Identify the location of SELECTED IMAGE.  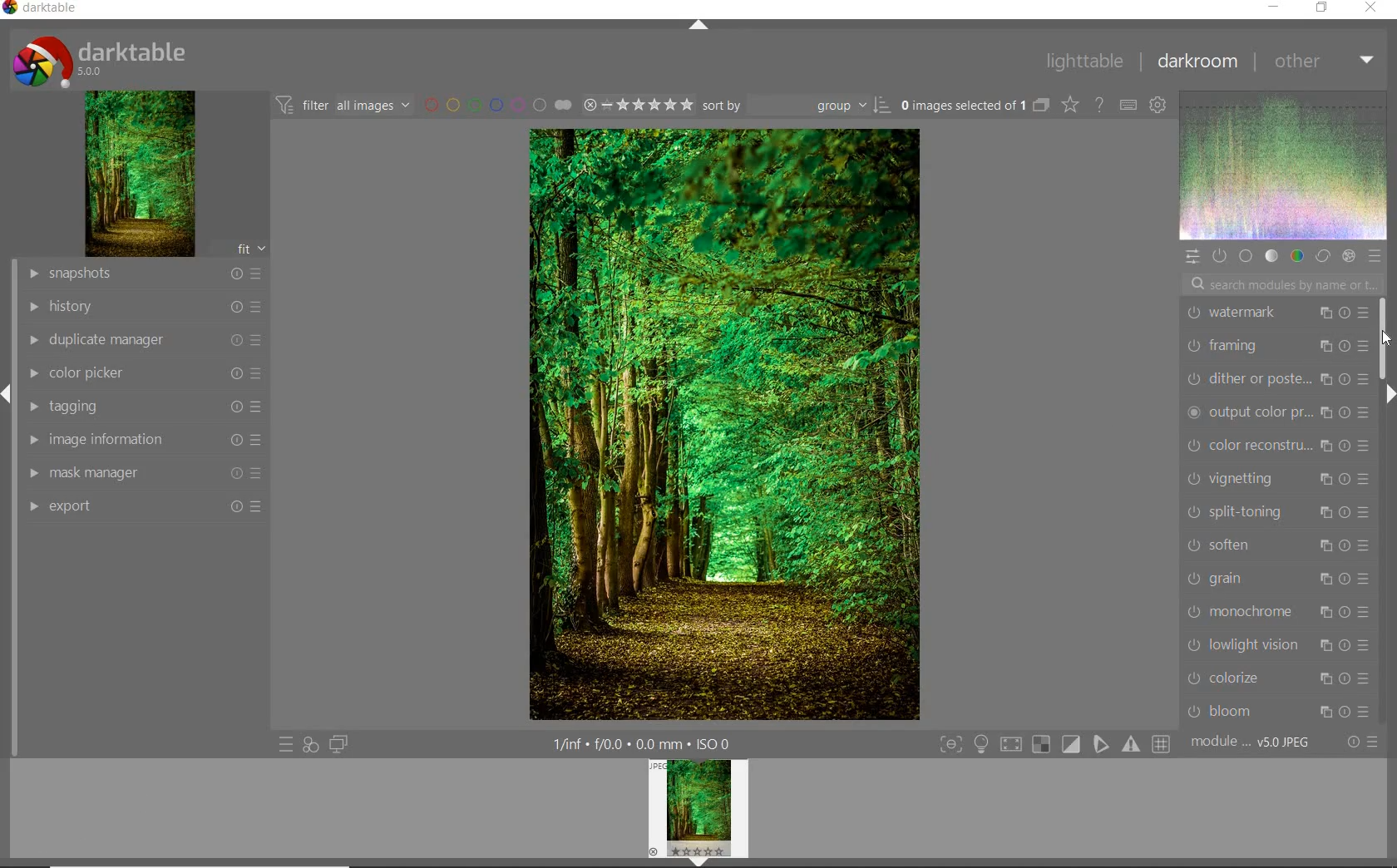
(726, 423).